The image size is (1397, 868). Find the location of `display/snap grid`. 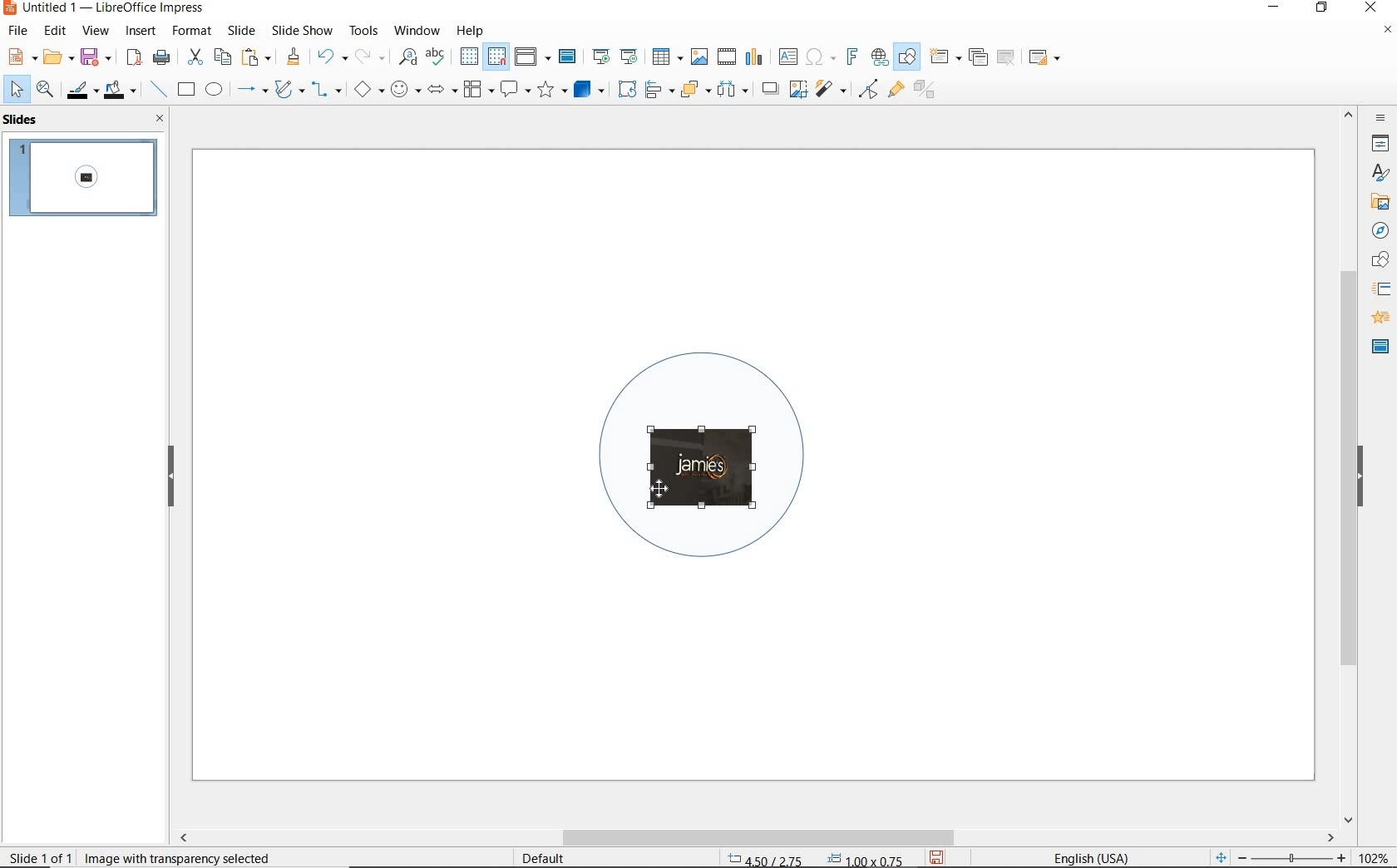

display/snap grid is located at coordinates (481, 57).